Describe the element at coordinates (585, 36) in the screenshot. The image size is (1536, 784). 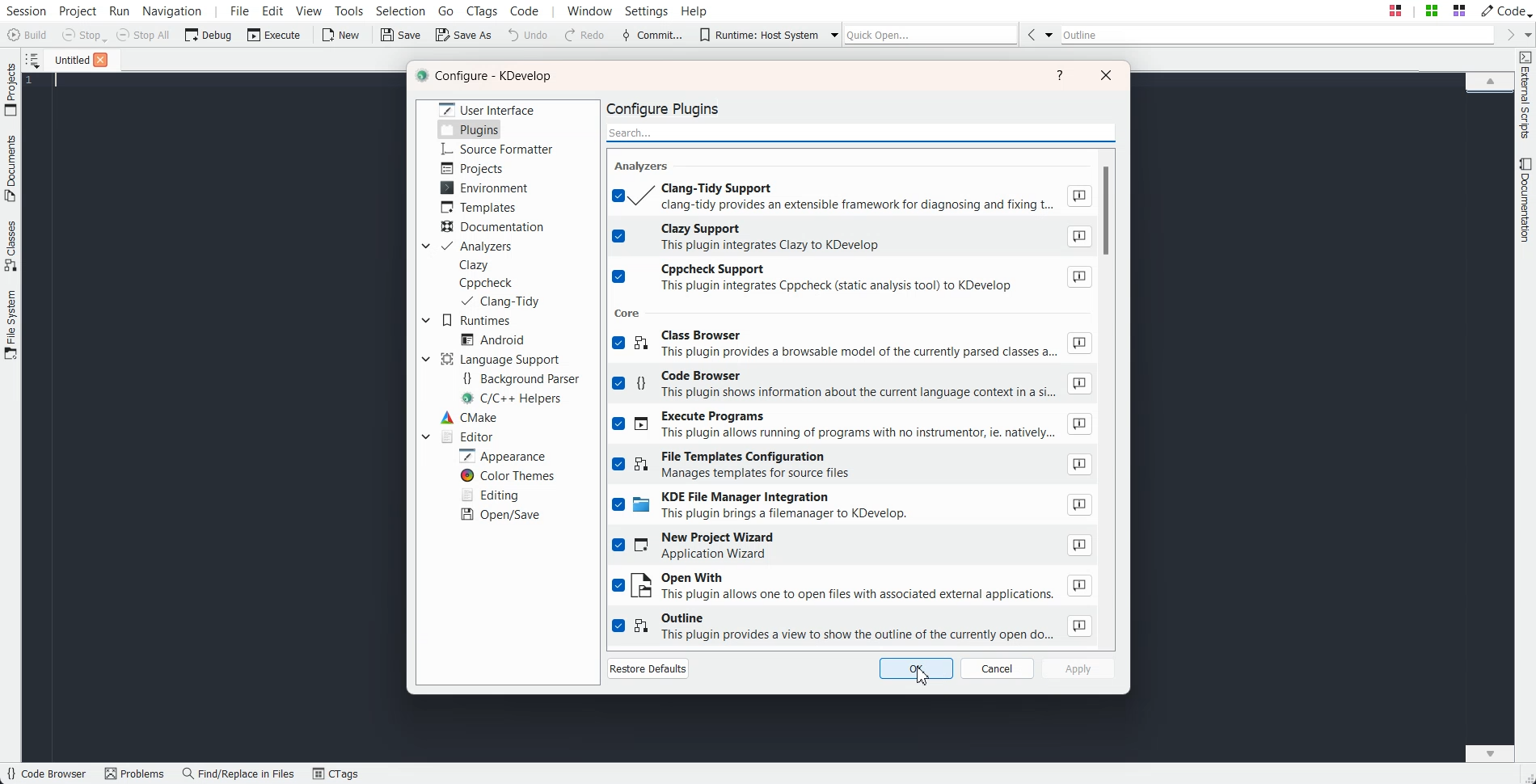
I see `Redo` at that location.